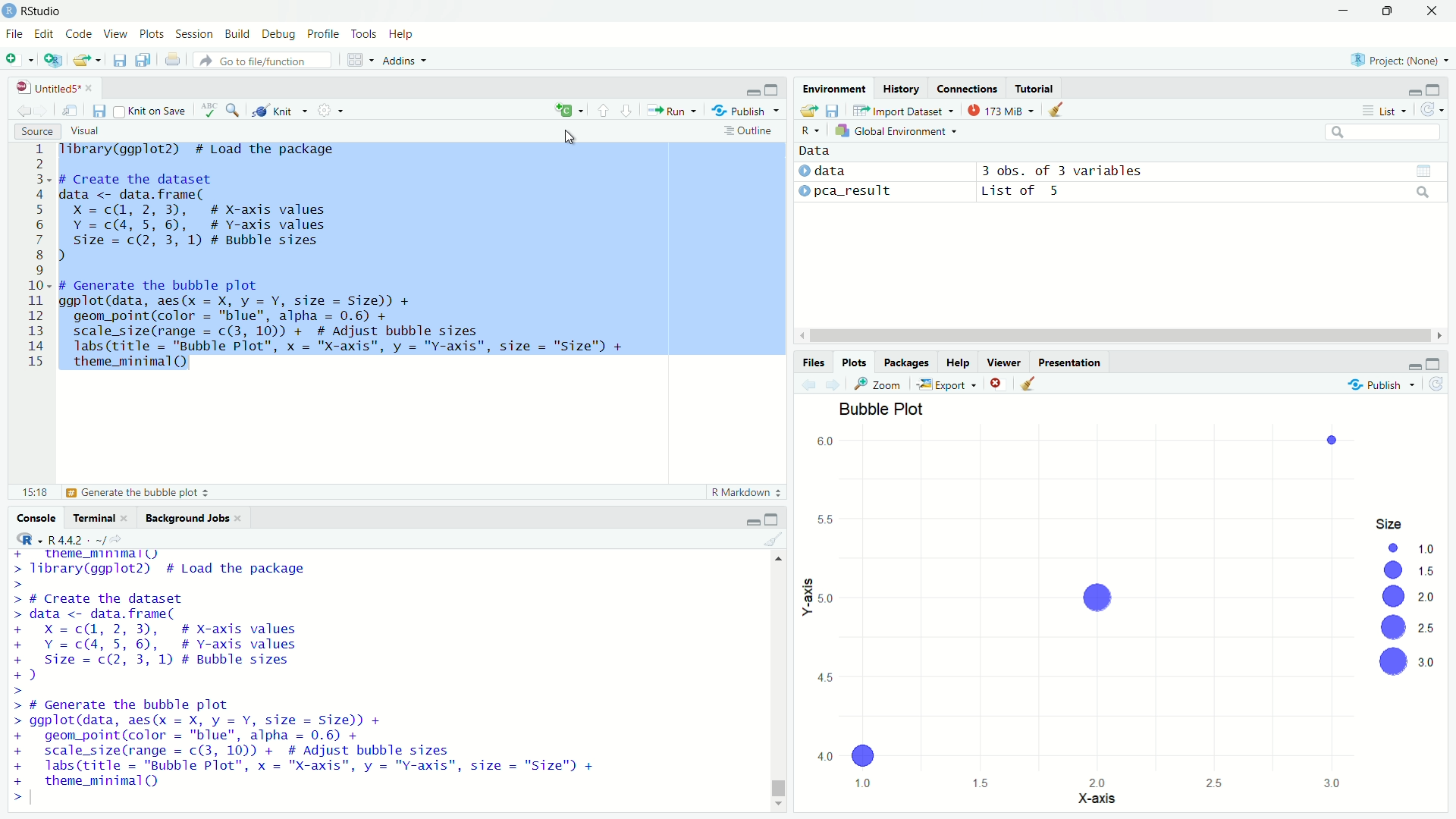 Image resolution: width=1456 pixels, height=819 pixels. Describe the element at coordinates (1121, 337) in the screenshot. I see `horizontal scrollbar` at that location.